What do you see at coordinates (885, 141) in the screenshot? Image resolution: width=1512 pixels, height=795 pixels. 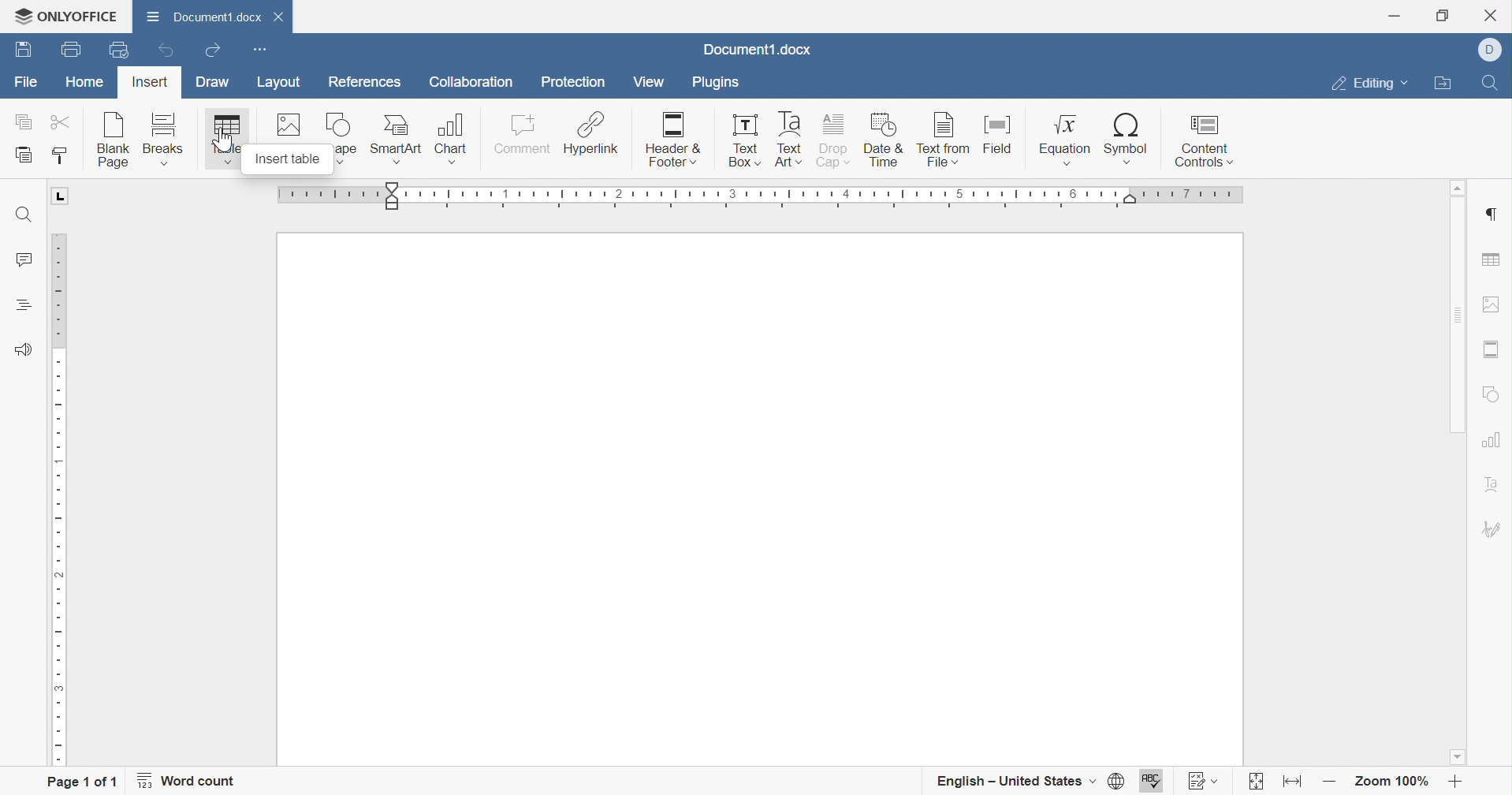 I see `Date & time` at bounding box center [885, 141].